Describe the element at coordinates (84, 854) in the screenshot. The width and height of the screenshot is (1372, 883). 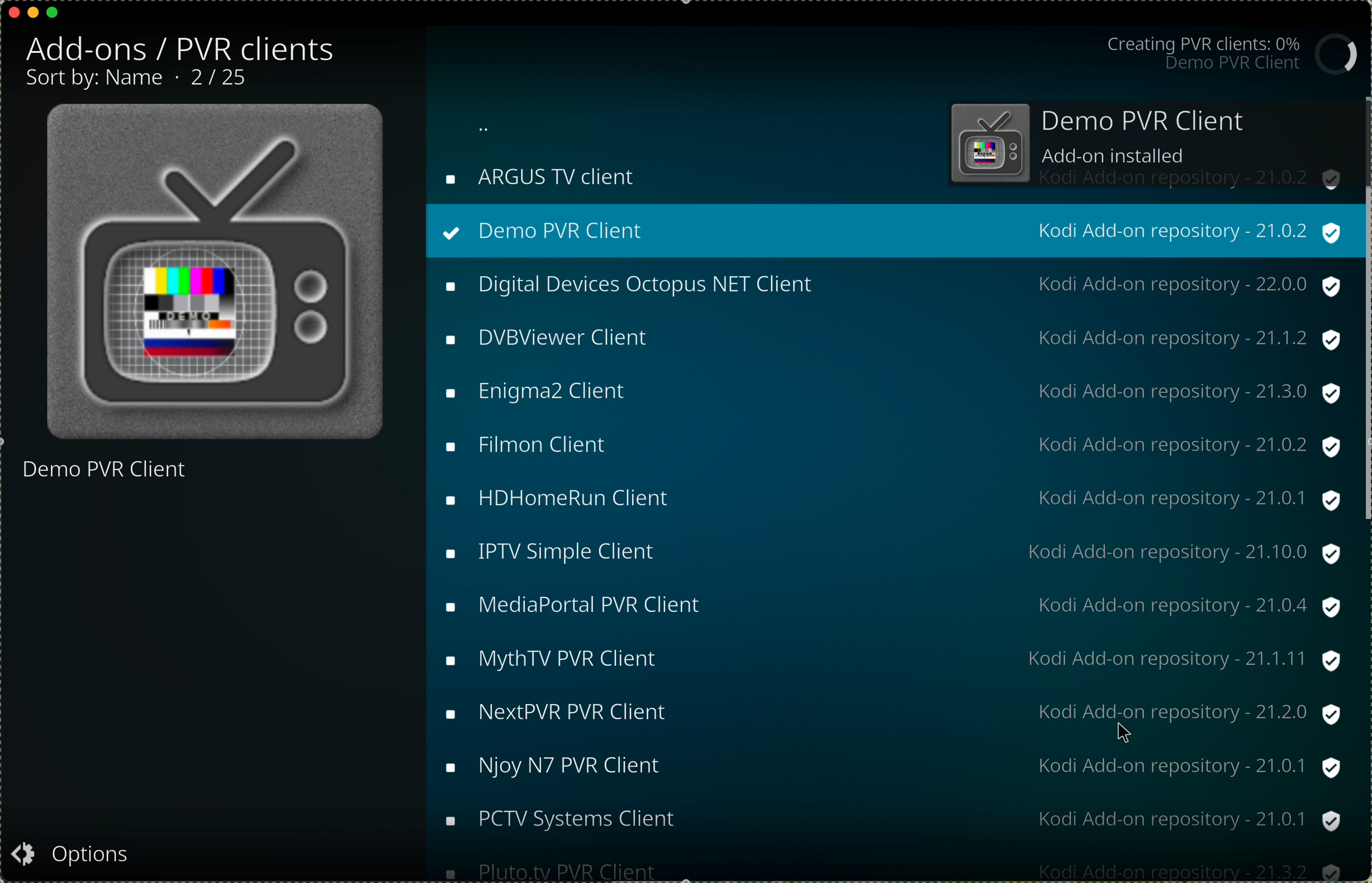
I see `Options` at that location.